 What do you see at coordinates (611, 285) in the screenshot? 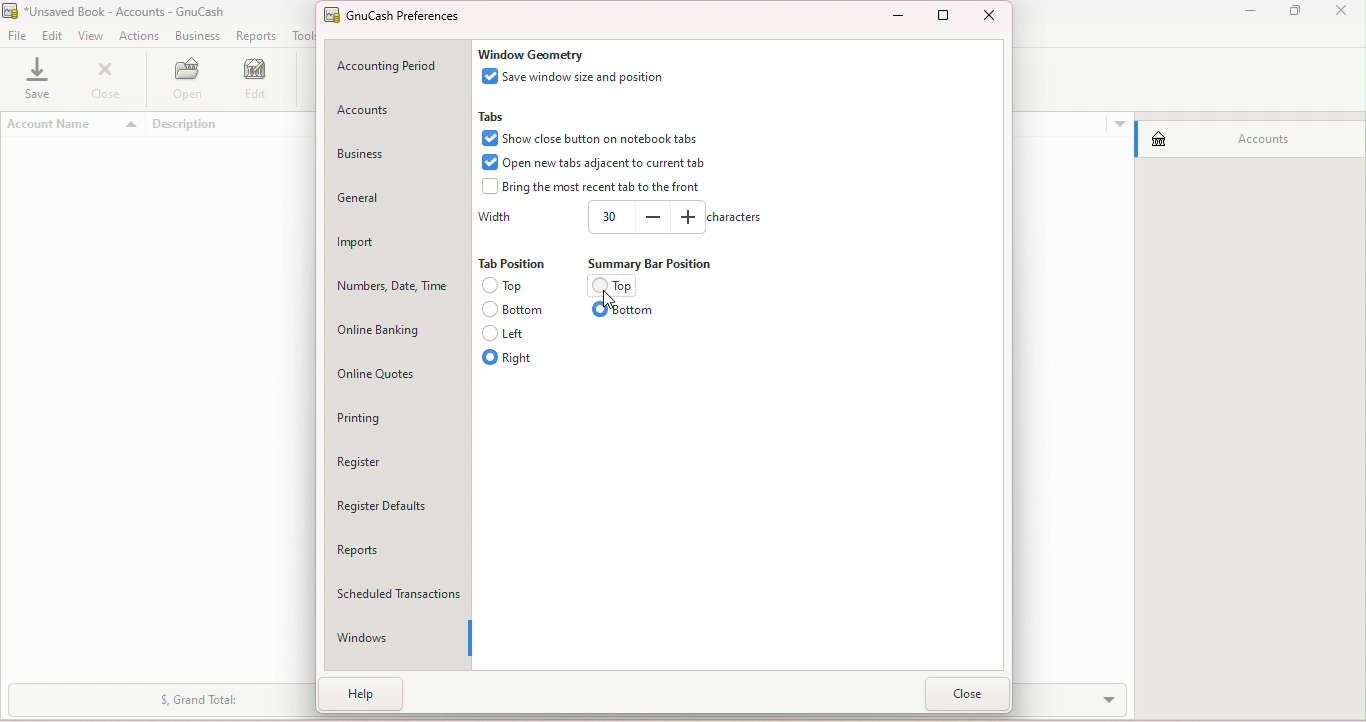
I see `Top` at bounding box center [611, 285].